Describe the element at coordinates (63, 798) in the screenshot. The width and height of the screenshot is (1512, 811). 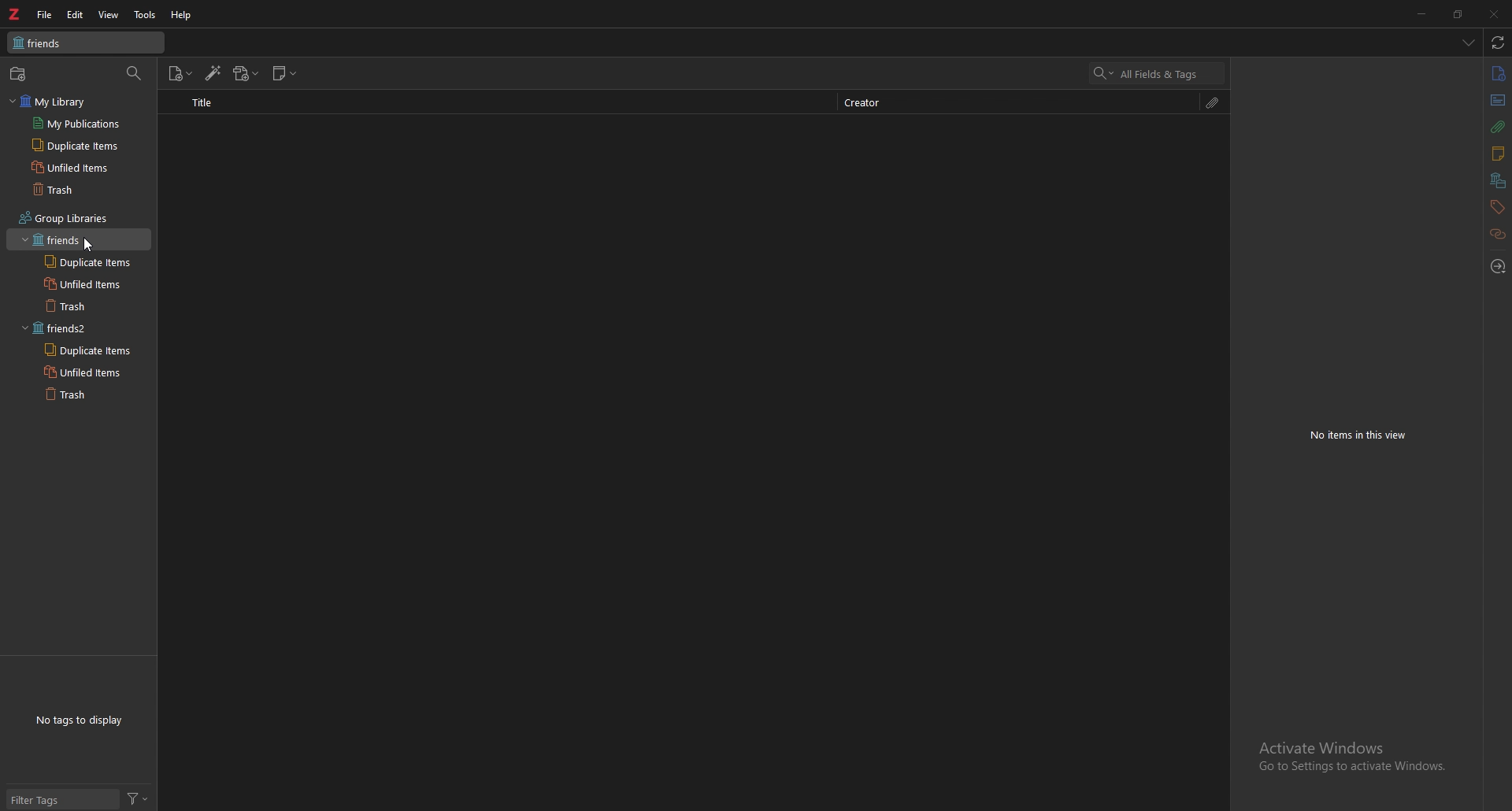
I see `filter tags` at that location.